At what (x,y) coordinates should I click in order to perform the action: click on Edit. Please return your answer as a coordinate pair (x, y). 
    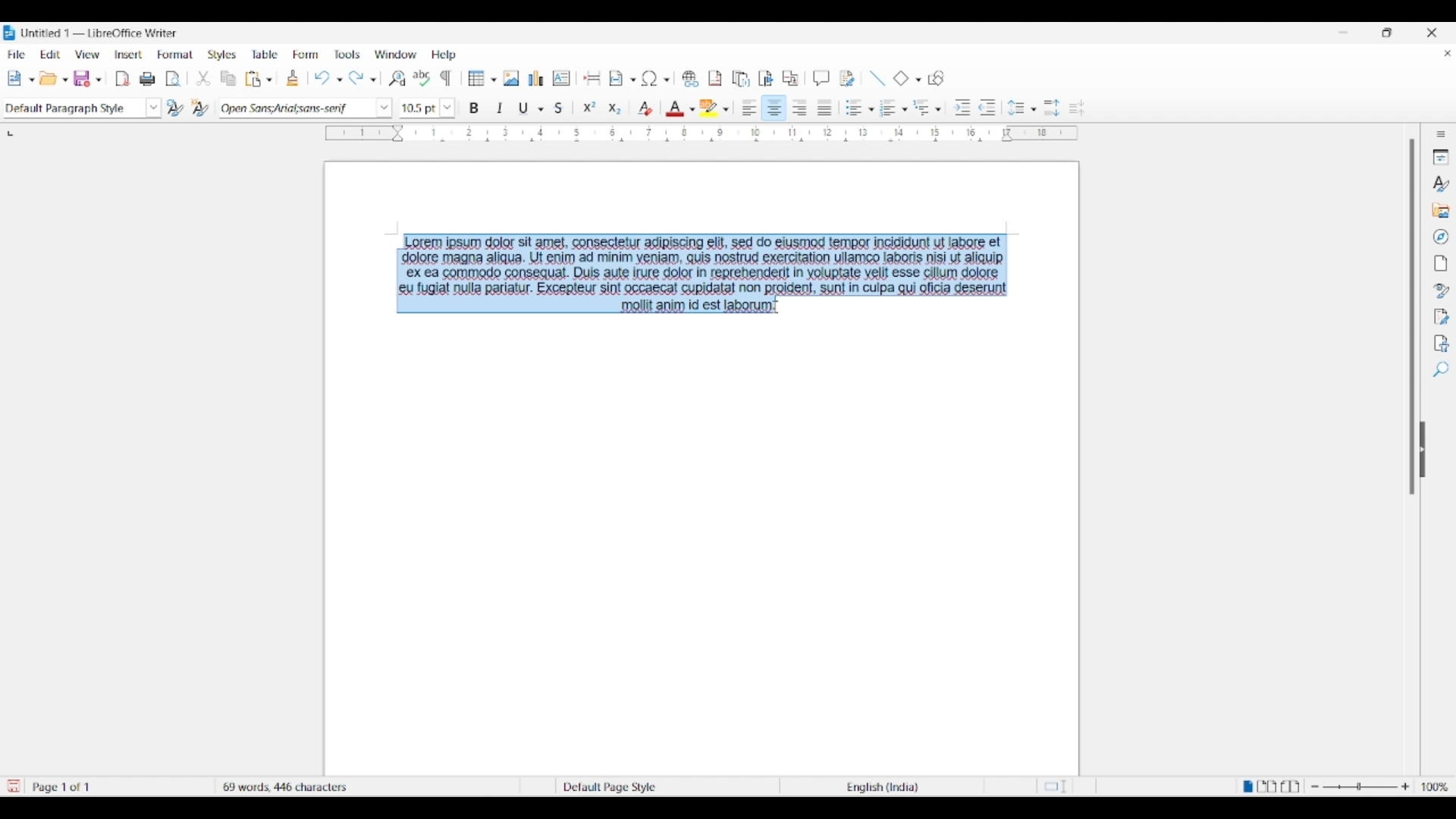
    Looking at the image, I should click on (50, 54).